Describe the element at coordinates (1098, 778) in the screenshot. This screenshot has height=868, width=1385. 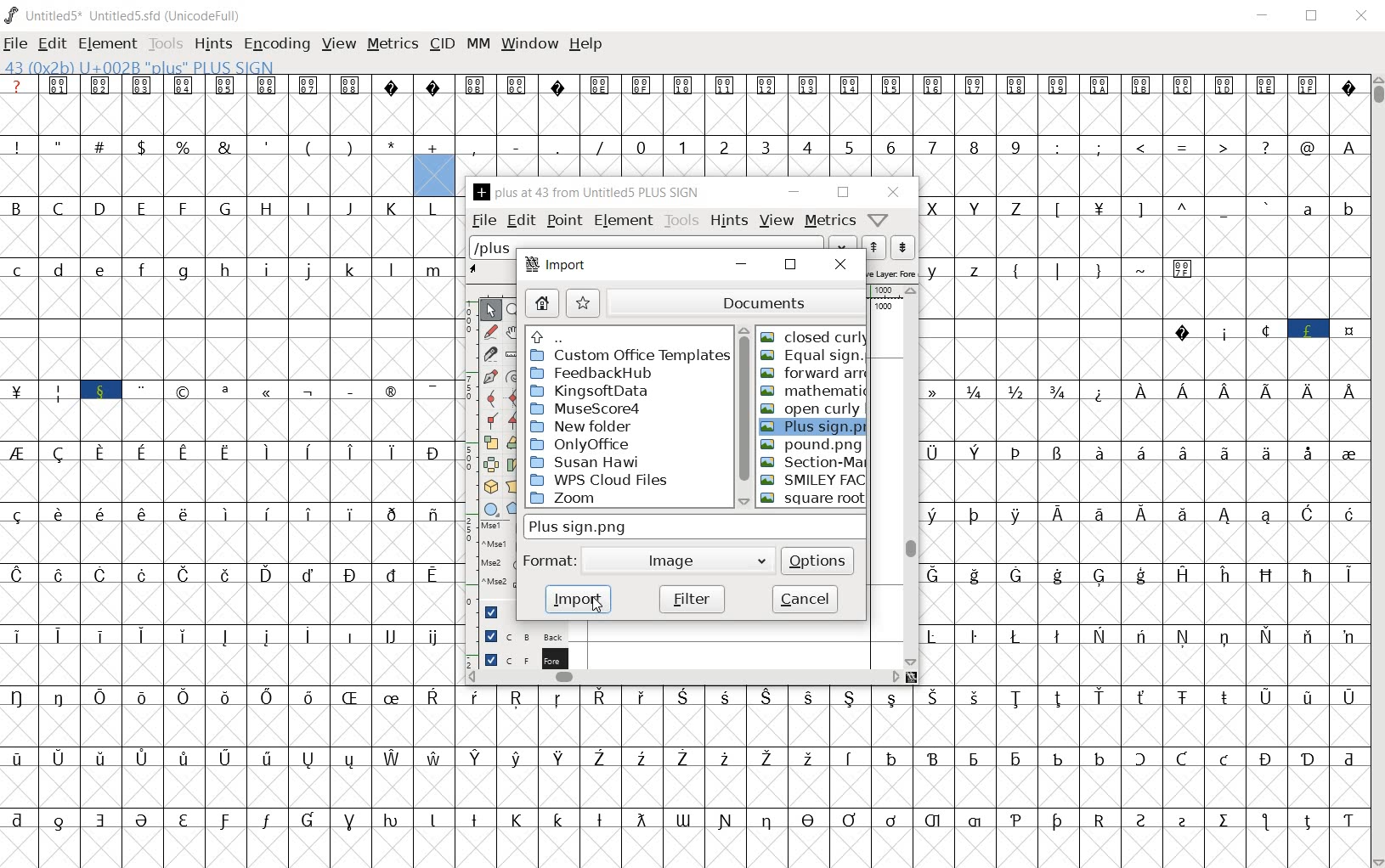
I see `https://labeling-s.turing.com/conversations/75682/view` at that location.